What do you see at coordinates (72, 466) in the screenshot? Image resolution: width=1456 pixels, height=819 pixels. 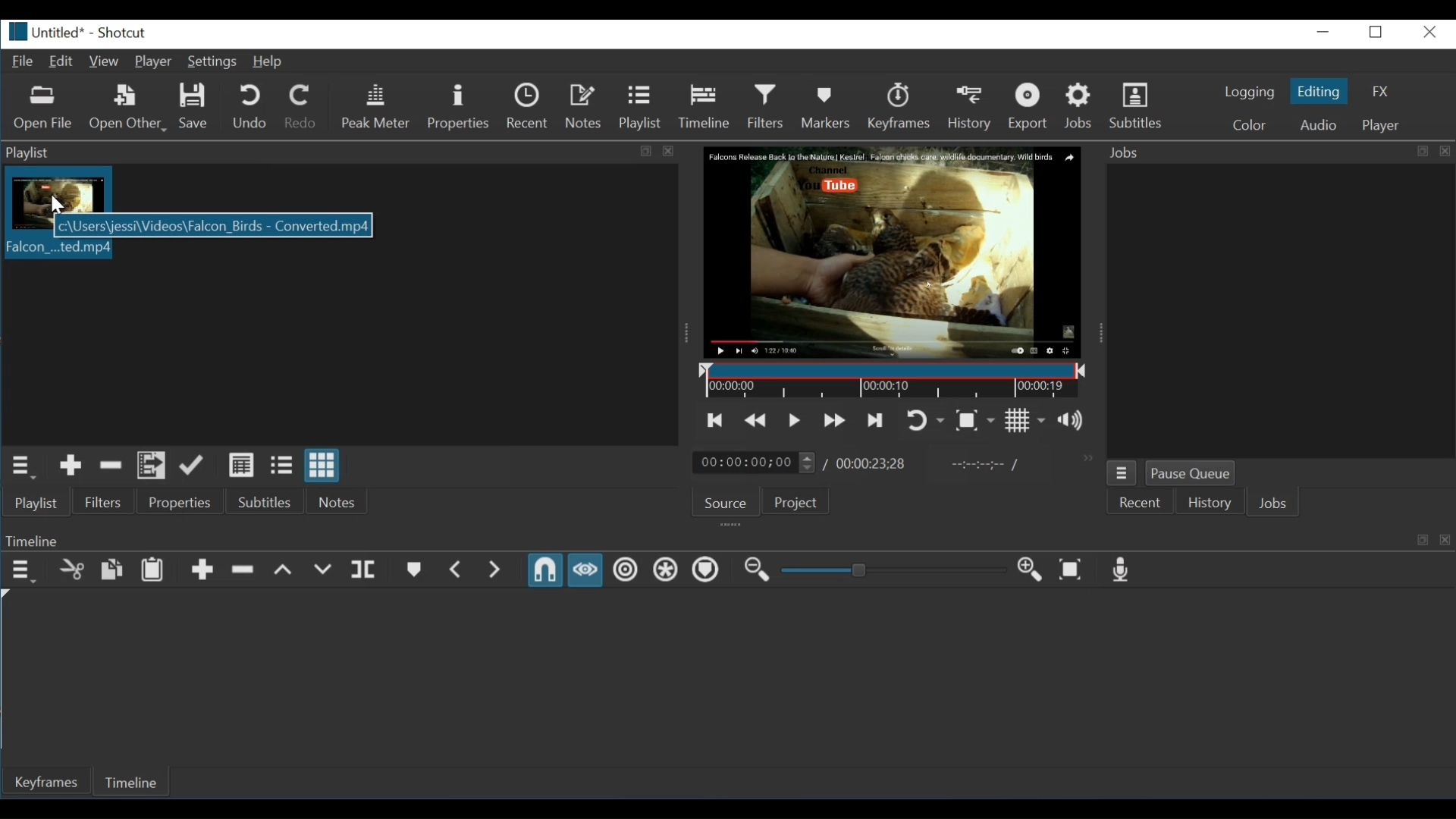 I see `Add the source to the playlist` at bounding box center [72, 466].